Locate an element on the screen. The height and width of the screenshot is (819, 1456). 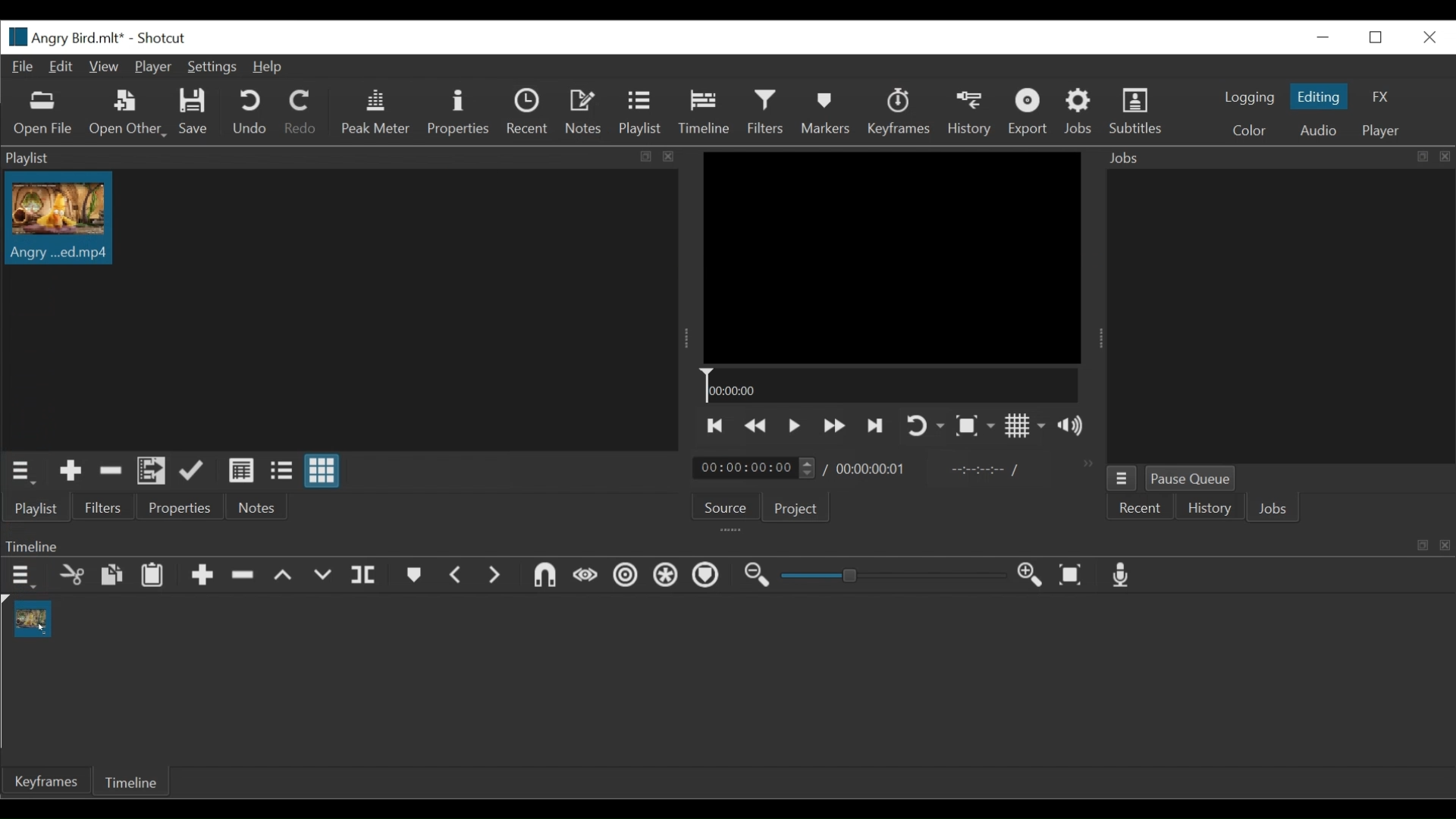
down is located at coordinates (328, 576).